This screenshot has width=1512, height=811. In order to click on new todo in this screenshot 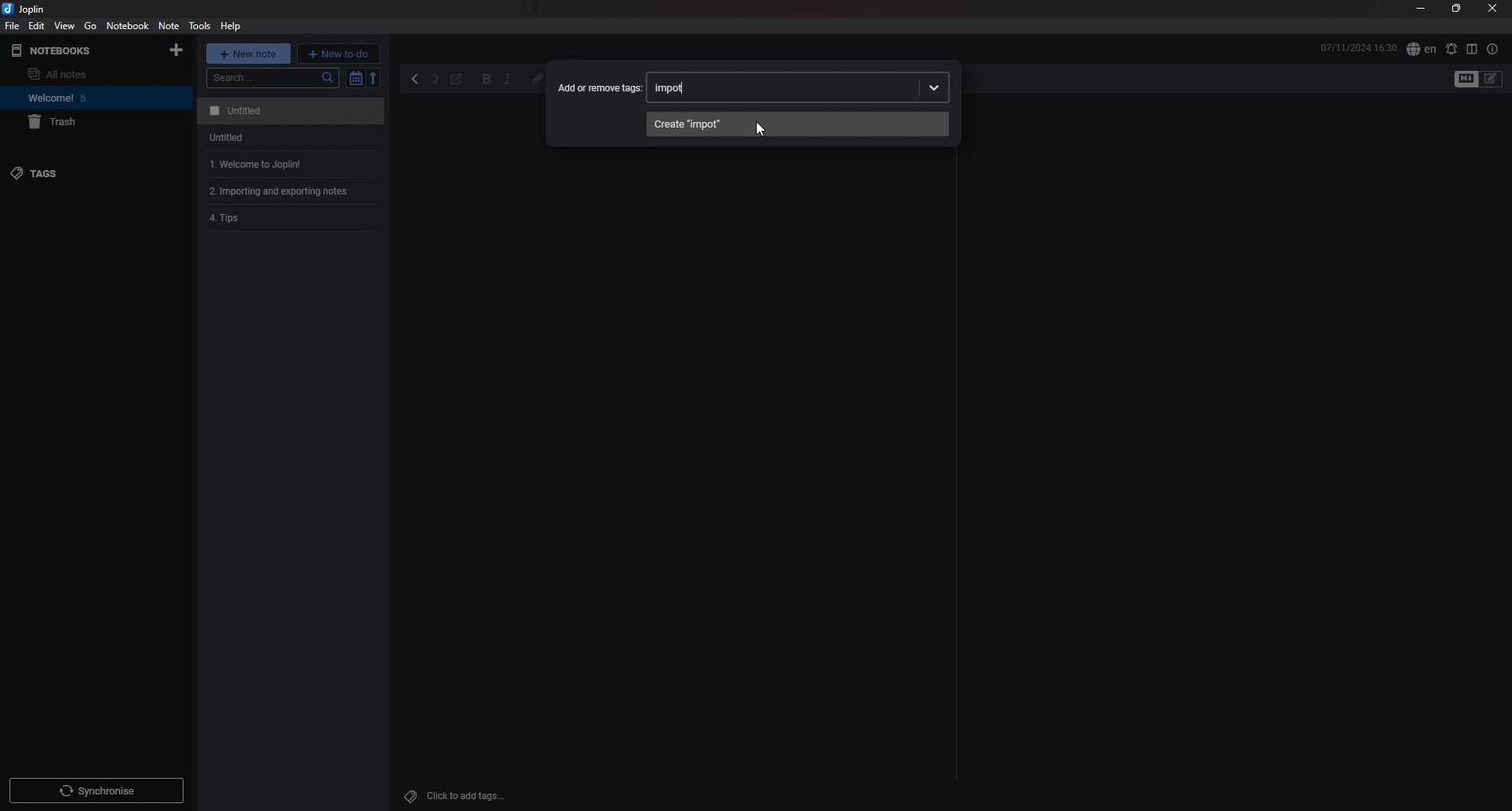, I will do `click(339, 53)`.